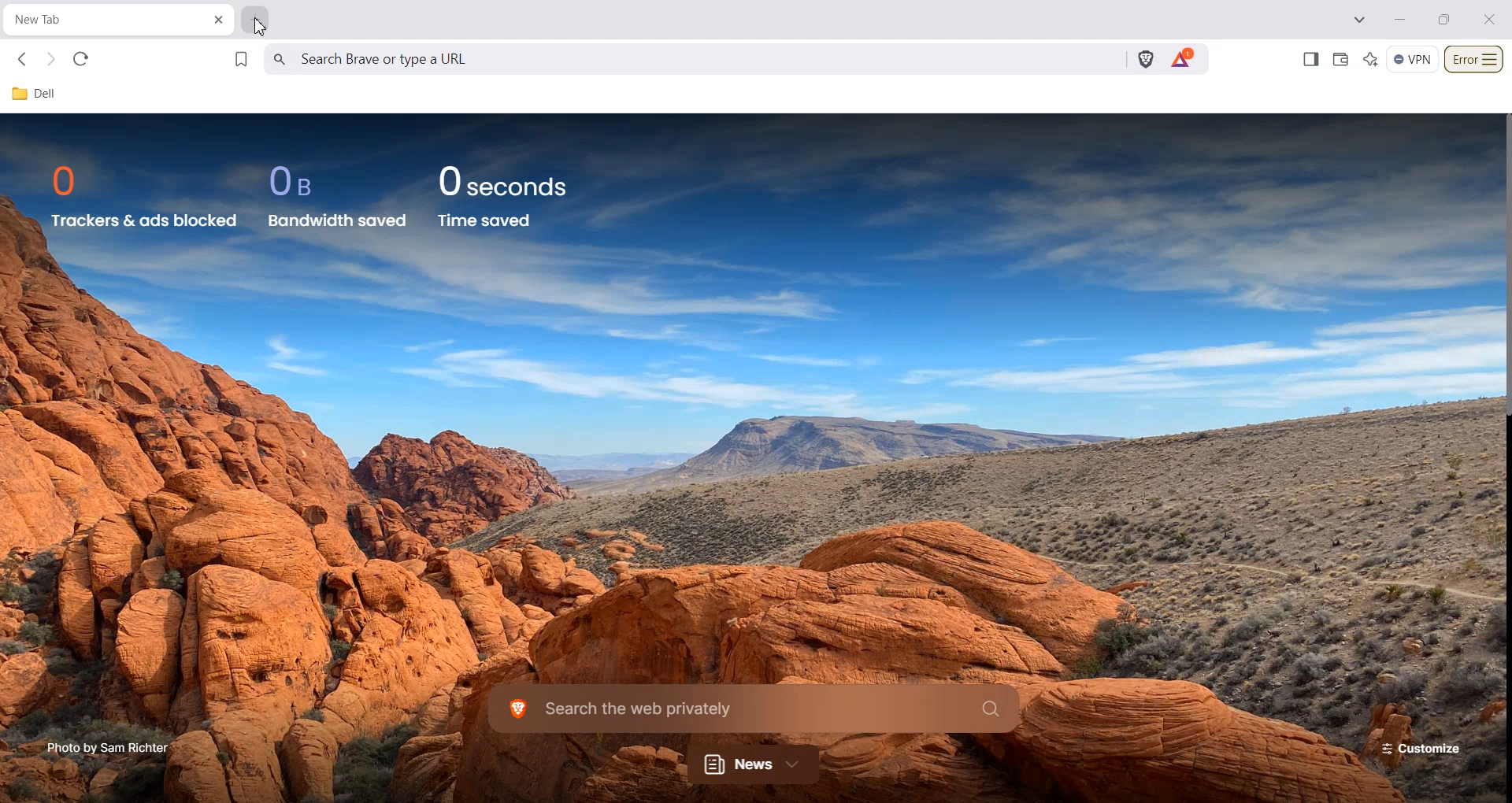 The width and height of the screenshot is (1512, 803). I want to click on Close Tab, so click(220, 20).